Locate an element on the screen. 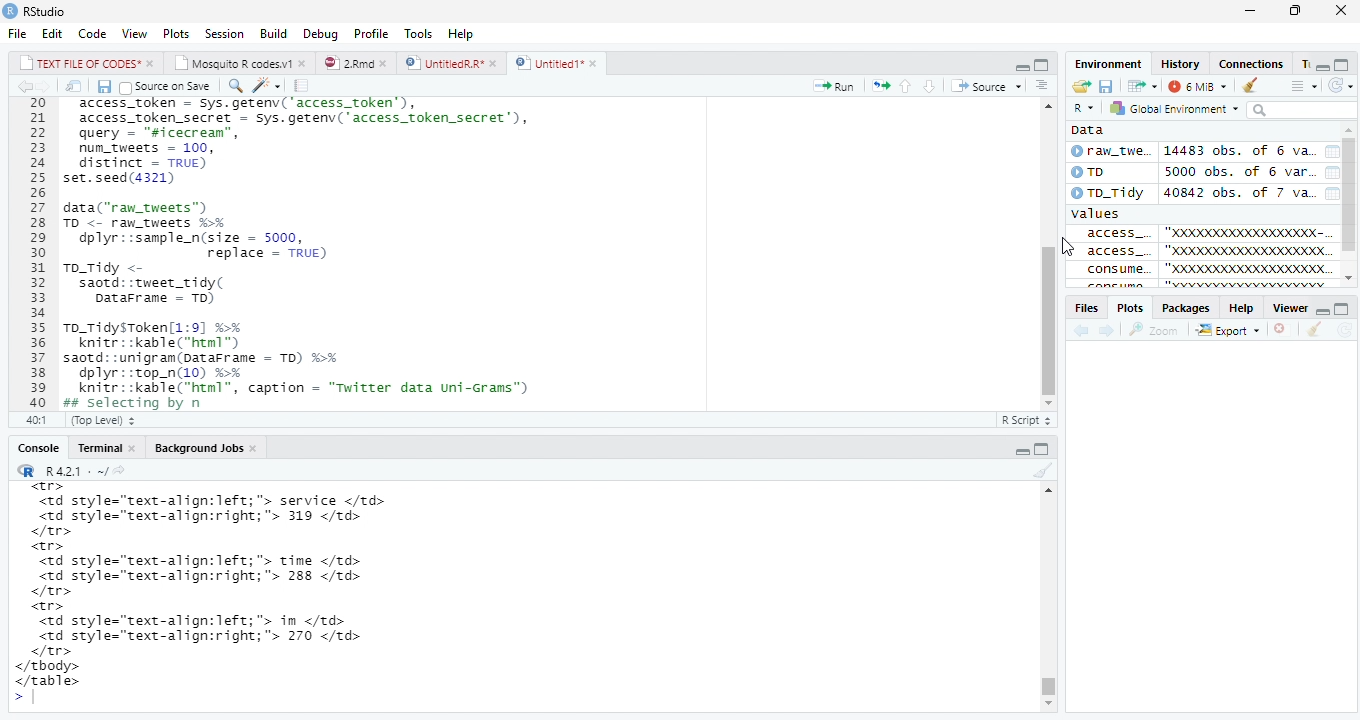  minimize/maxiize is located at coordinates (1034, 447).